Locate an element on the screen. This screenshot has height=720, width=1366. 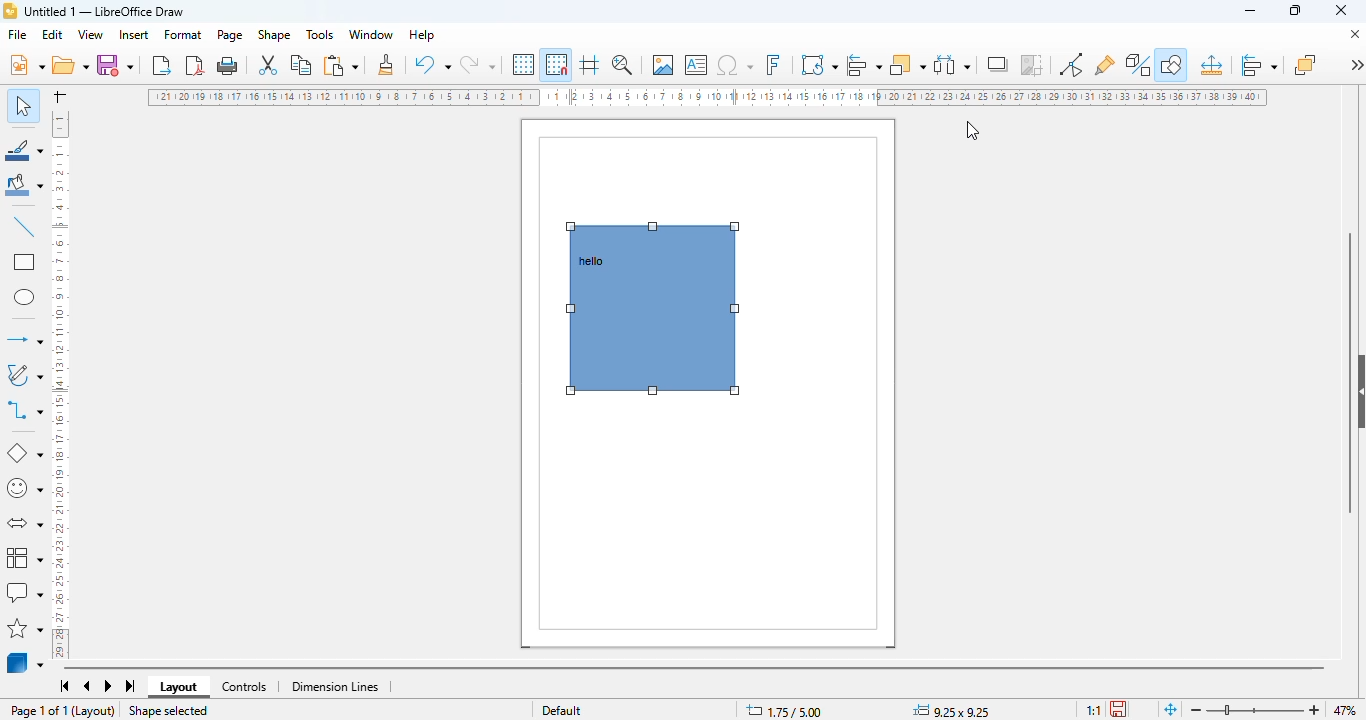
display grid is located at coordinates (524, 64).